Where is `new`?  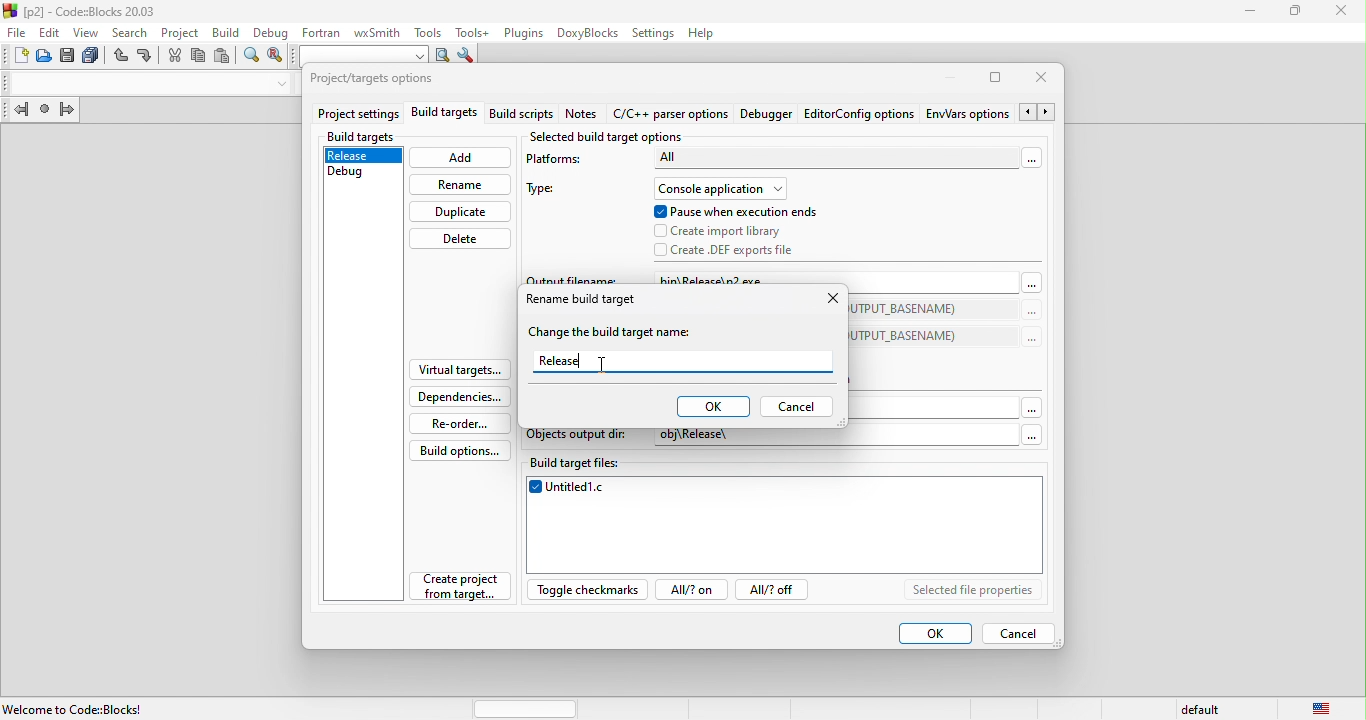
new is located at coordinates (15, 58).